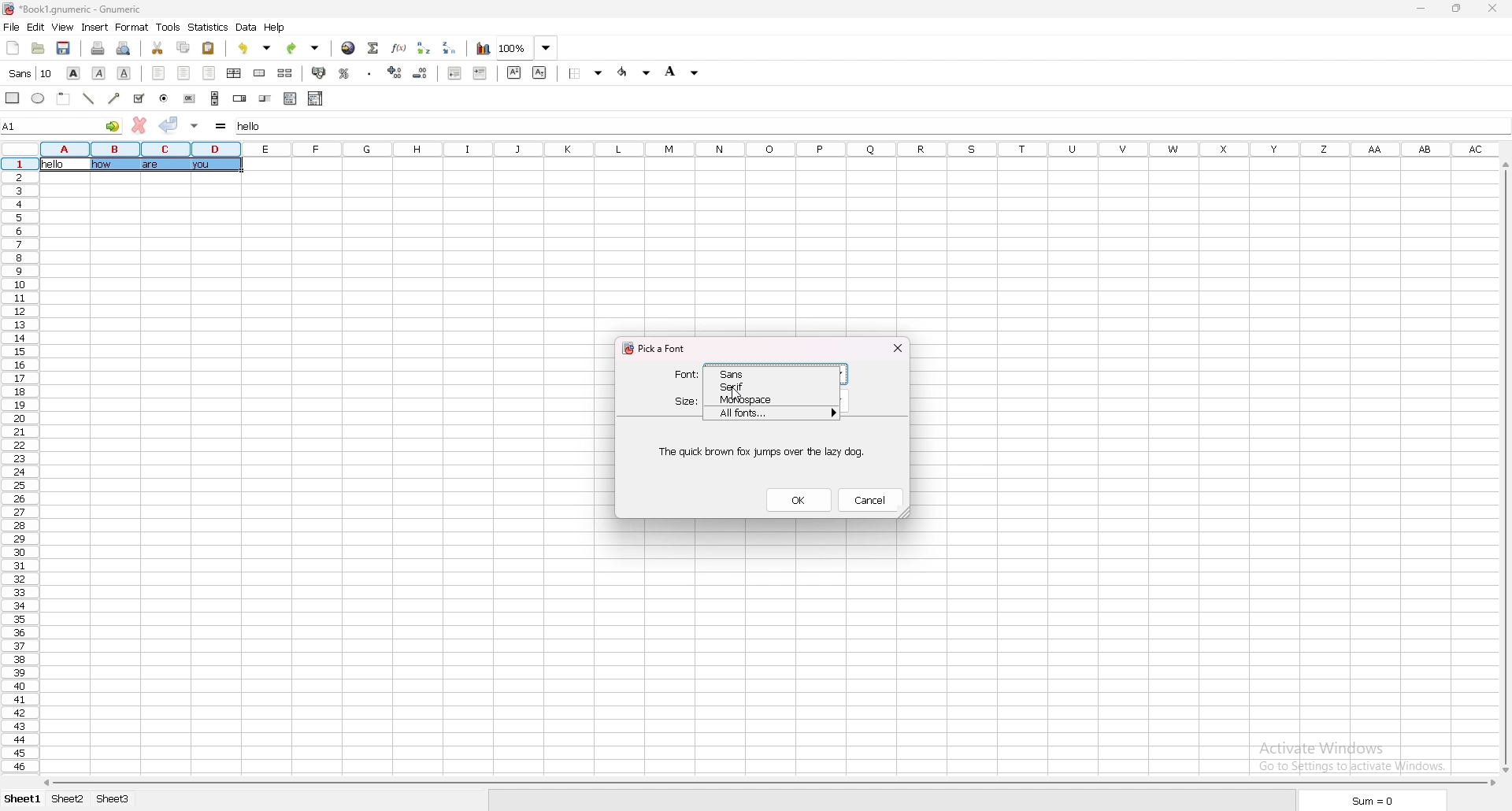 This screenshot has height=811, width=1512. Describe the element at coordinates (799, 499) in the screenshot. I see `ok` at that location.